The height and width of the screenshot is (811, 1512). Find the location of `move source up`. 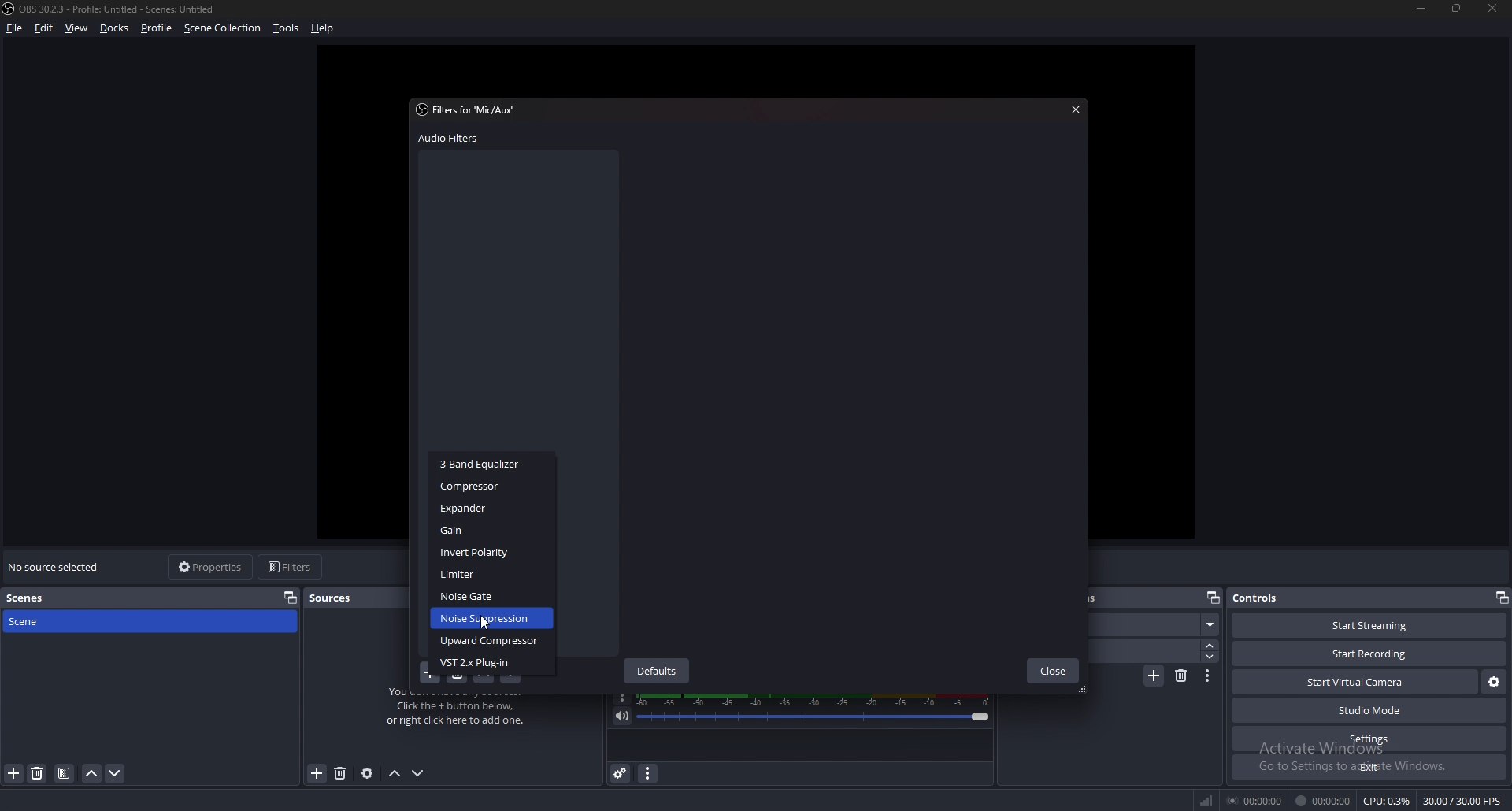

move source up is located at coordinates (395, 774).